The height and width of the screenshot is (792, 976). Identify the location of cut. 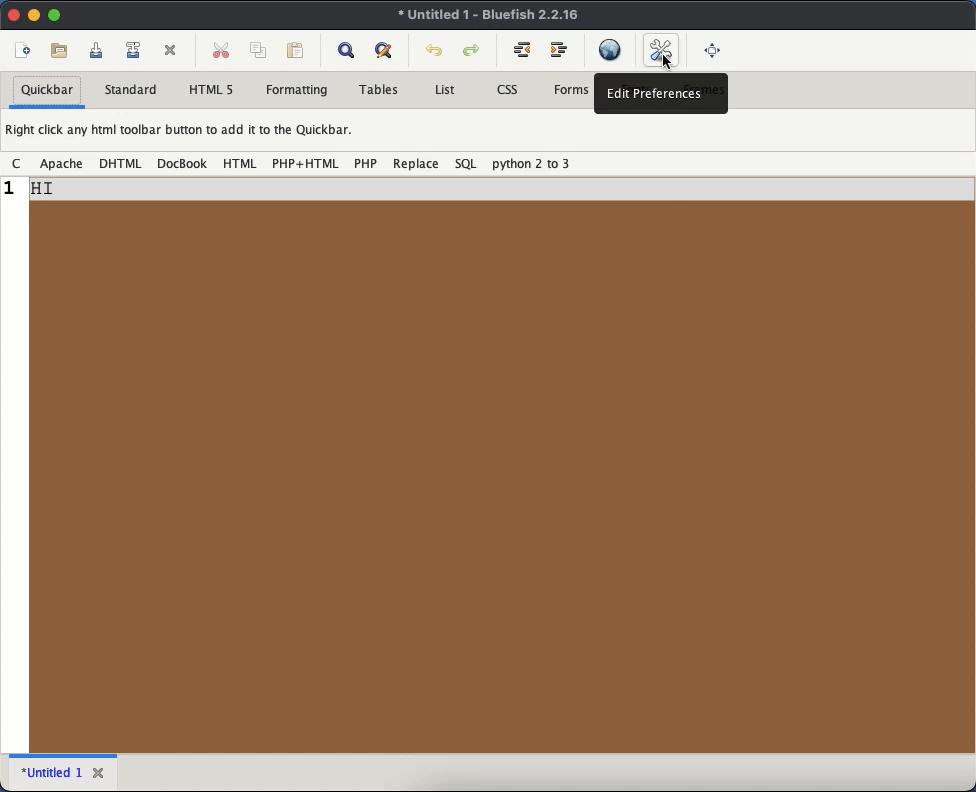
(220, 47).